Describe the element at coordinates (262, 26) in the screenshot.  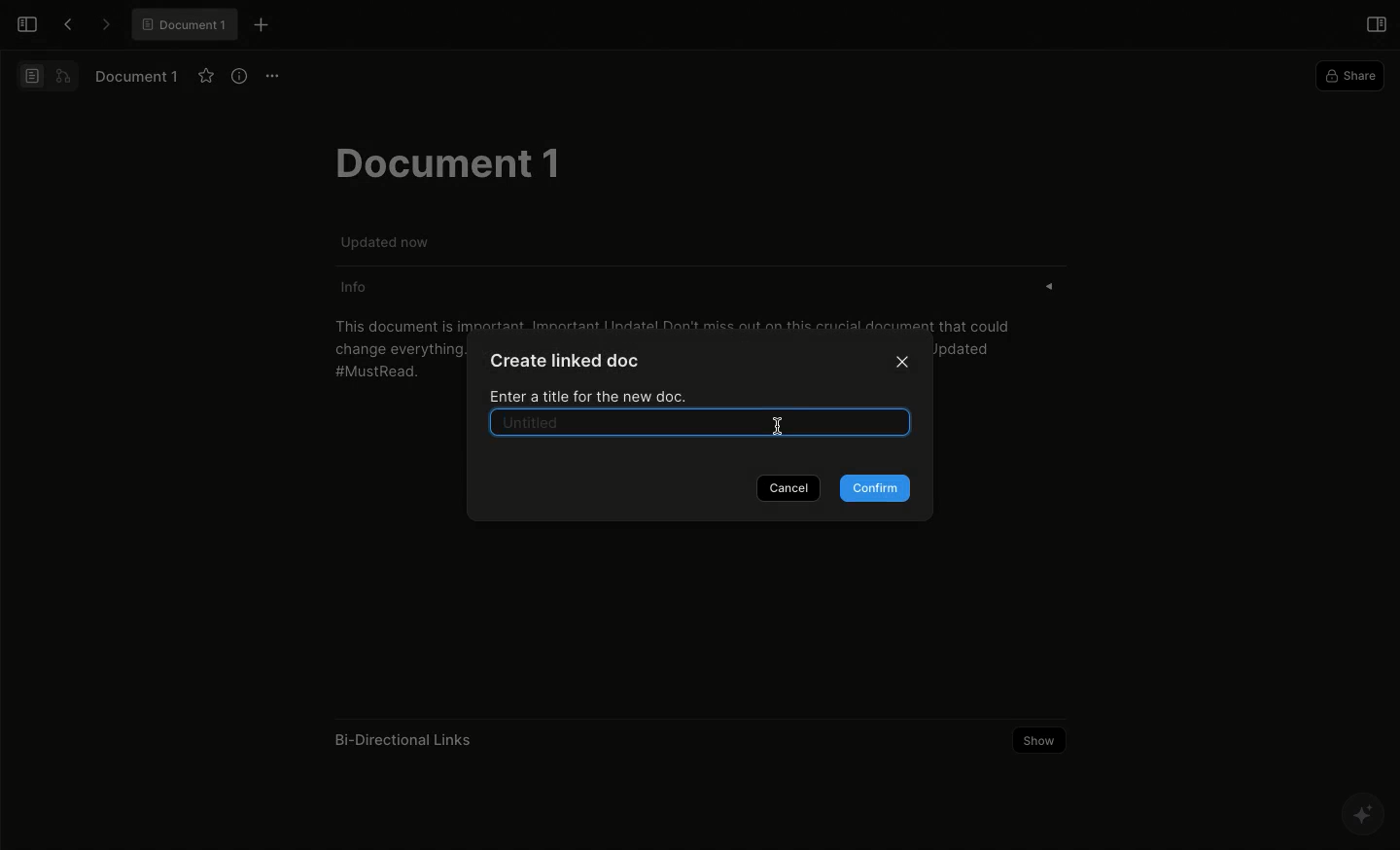
I see `New tab` at that location.